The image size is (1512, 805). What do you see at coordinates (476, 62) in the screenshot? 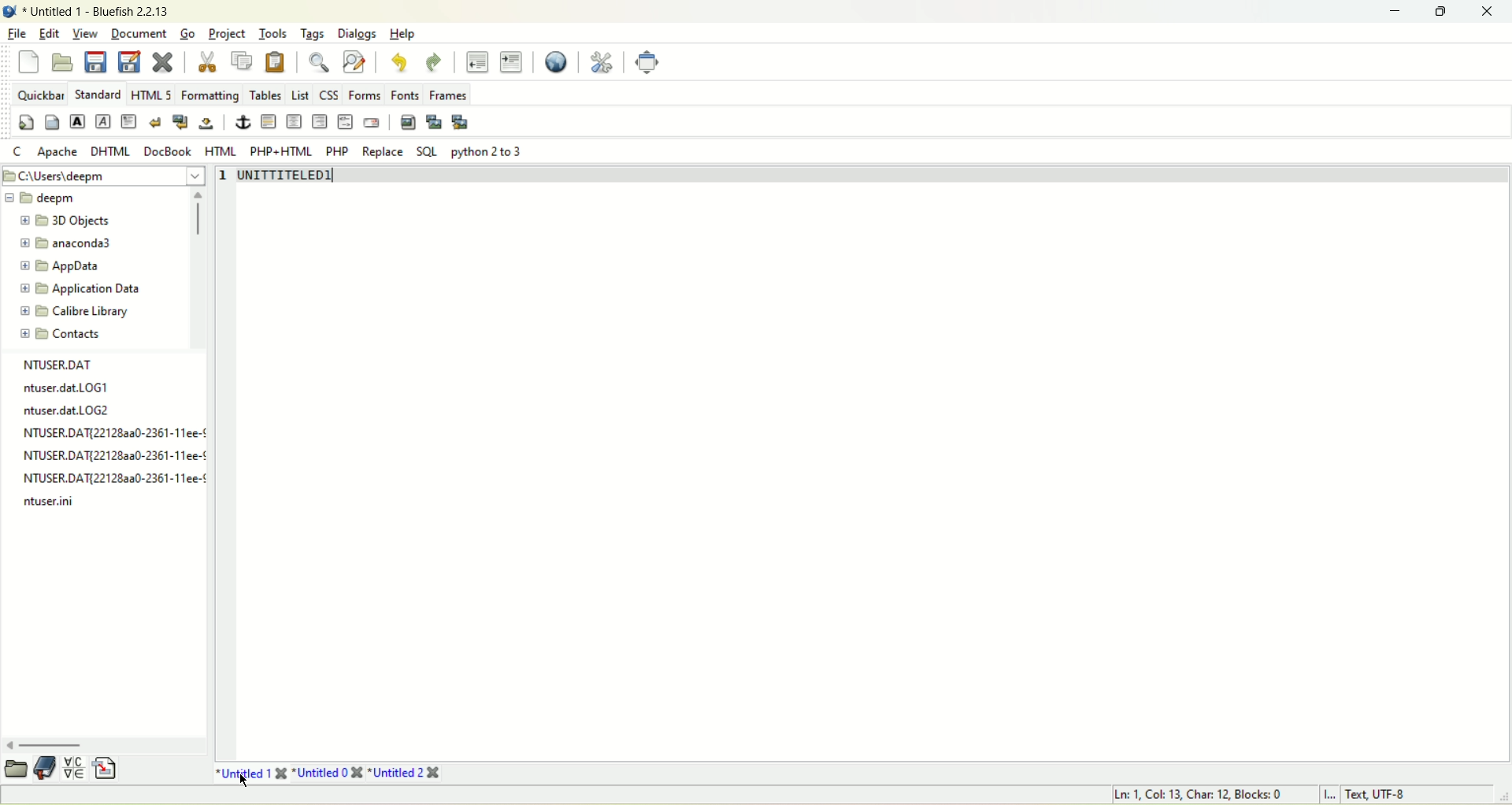
I see `unindent` at bounding box center [476, 62].